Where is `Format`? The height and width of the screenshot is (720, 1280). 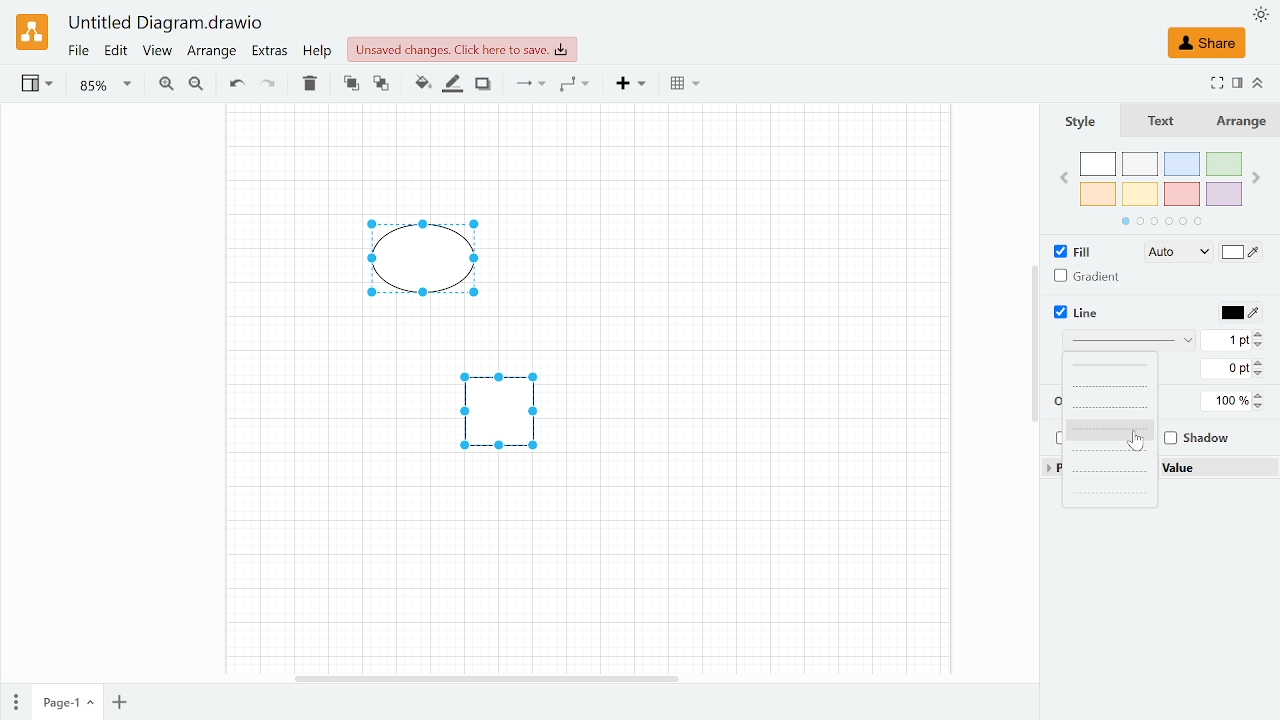 Format is located at coordinates (1238, 83).